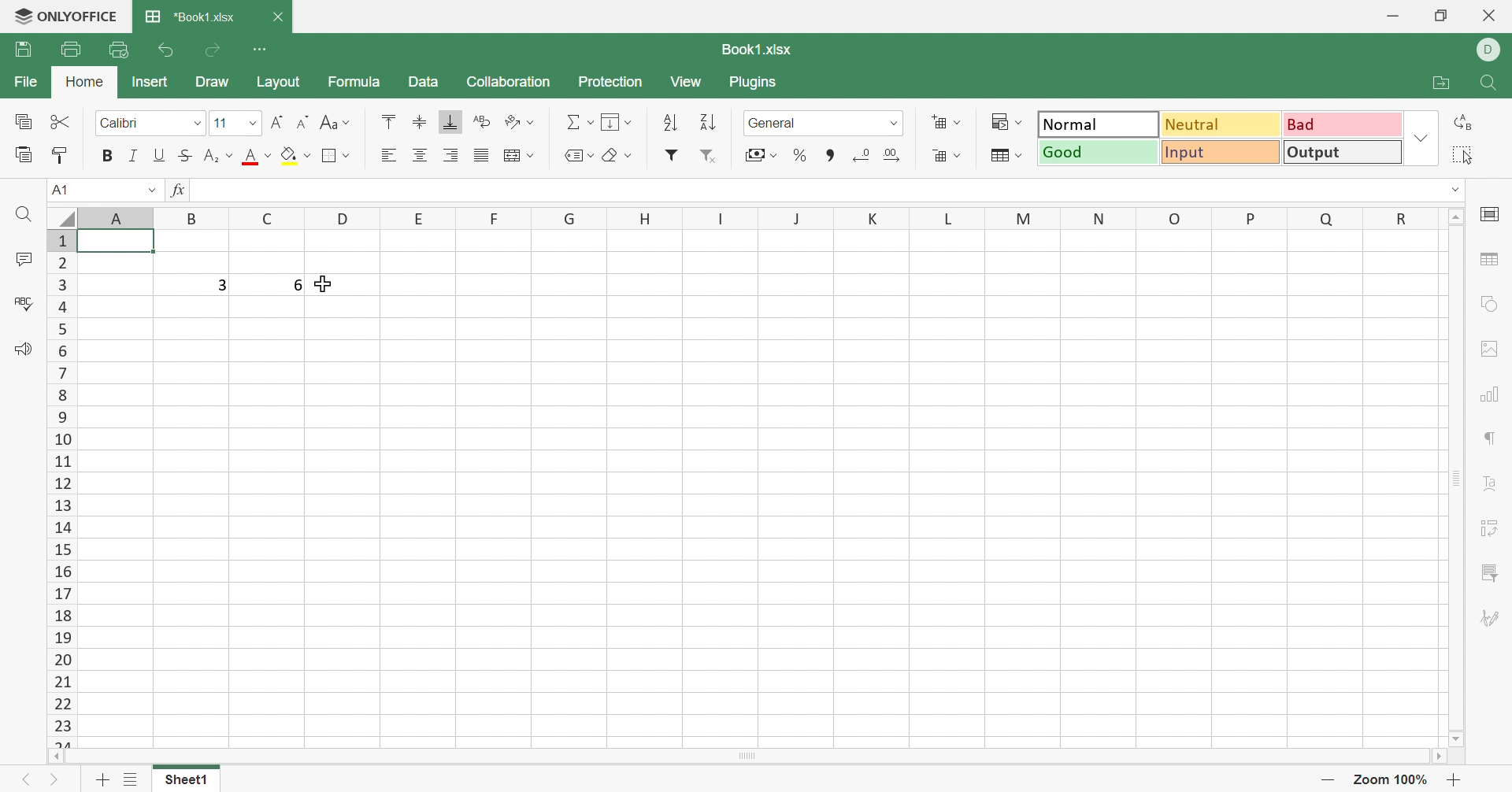 Image resolution: width=1512 pixels, height=792 pixels. I want to click on Scroll left, so click(54, 760).